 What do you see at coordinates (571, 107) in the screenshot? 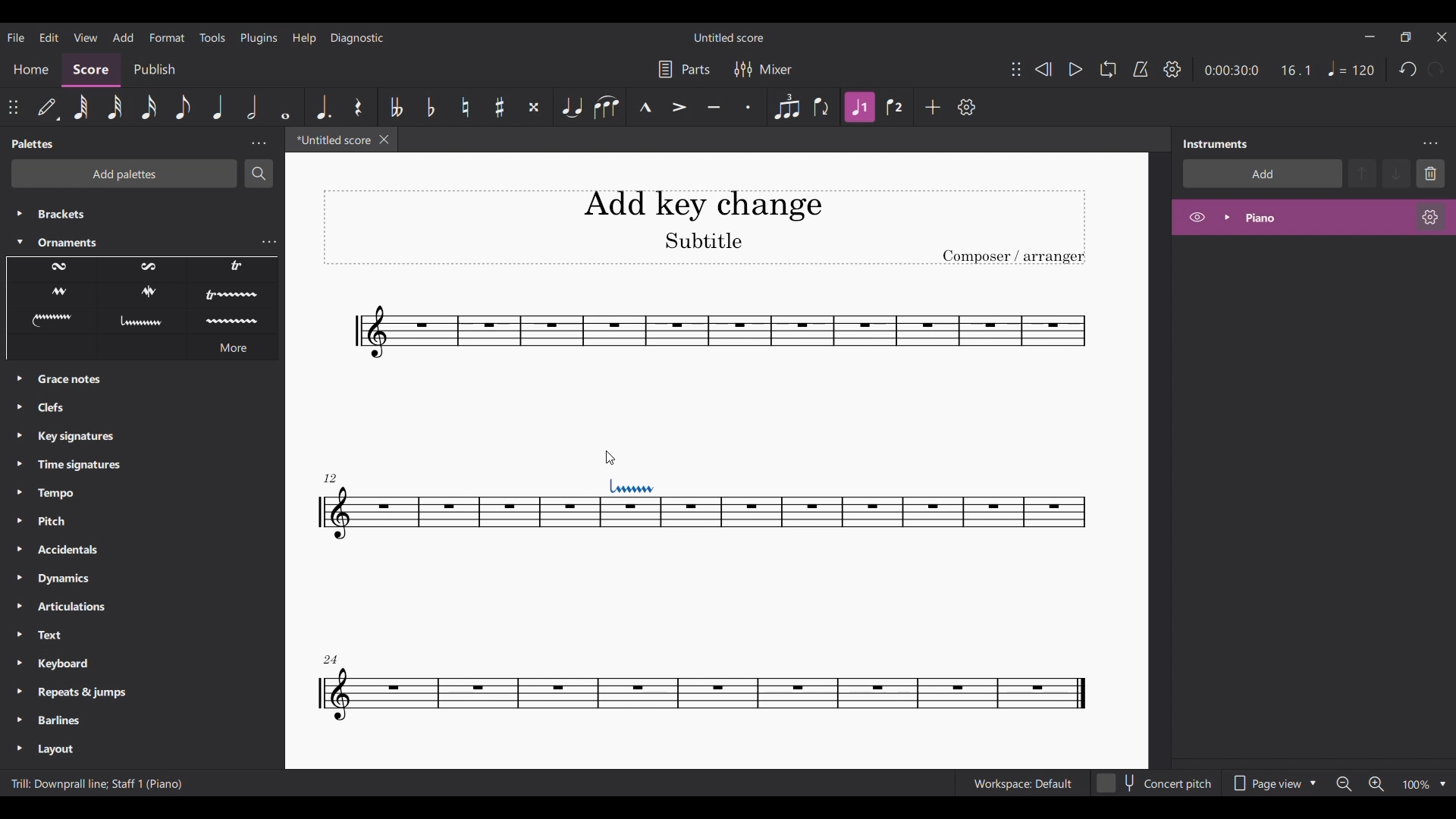
I see `Tie` at bounding box center [571, 107].